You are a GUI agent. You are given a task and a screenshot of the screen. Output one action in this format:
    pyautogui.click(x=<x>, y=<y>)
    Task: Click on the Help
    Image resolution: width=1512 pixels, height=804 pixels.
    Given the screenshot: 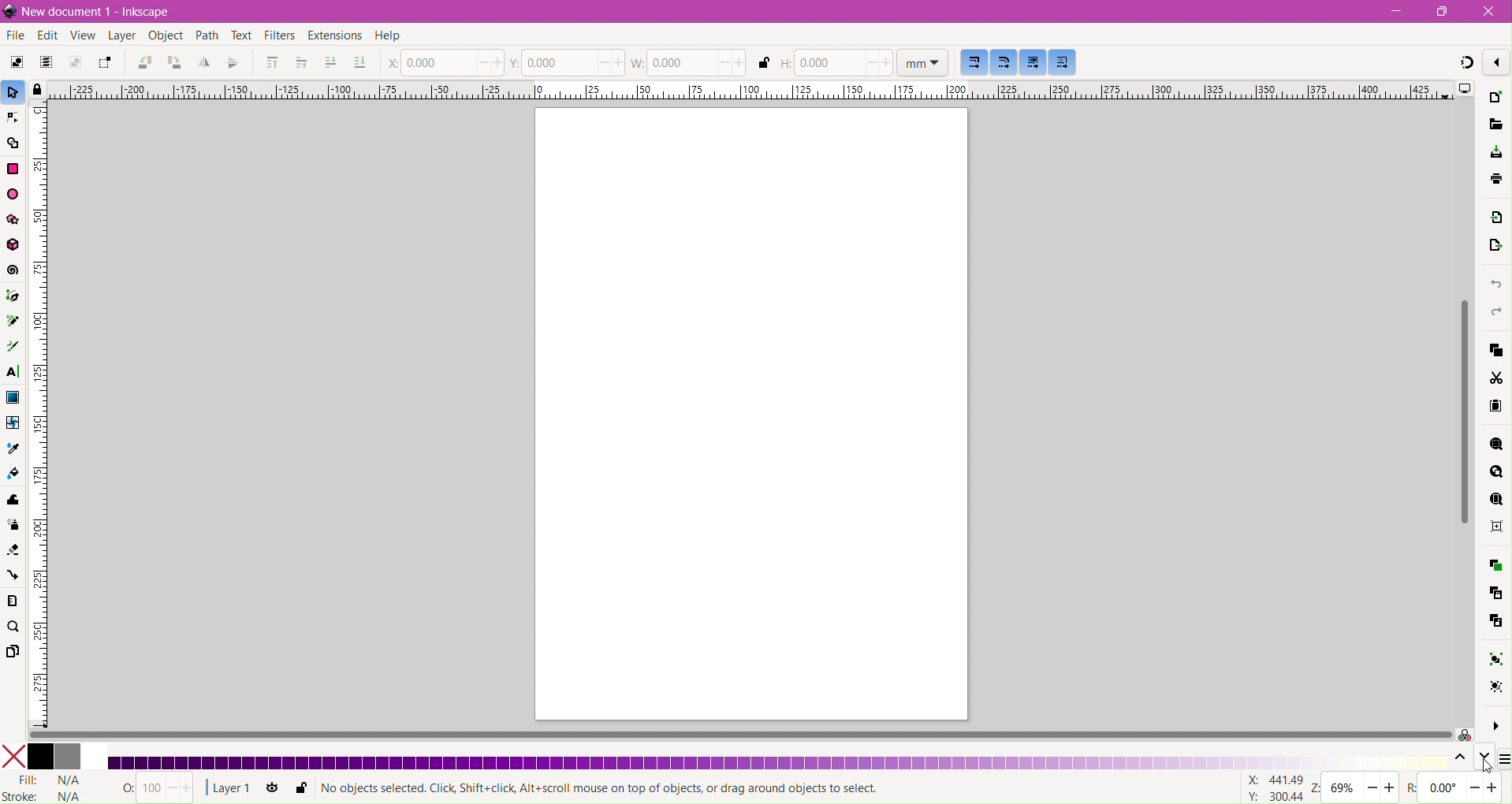 What is the action you would take?
    pyautogui.click(x=397, y=36)
    